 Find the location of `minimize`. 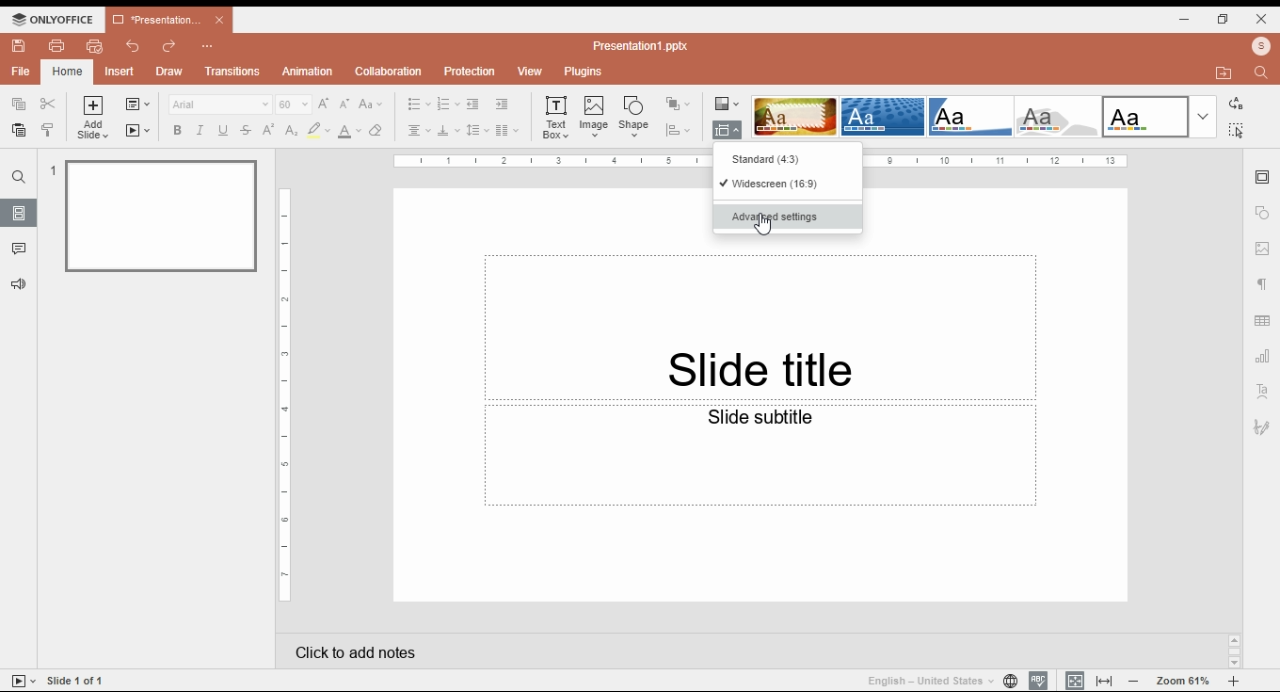

minimize is located at coordinates (1185, 18).